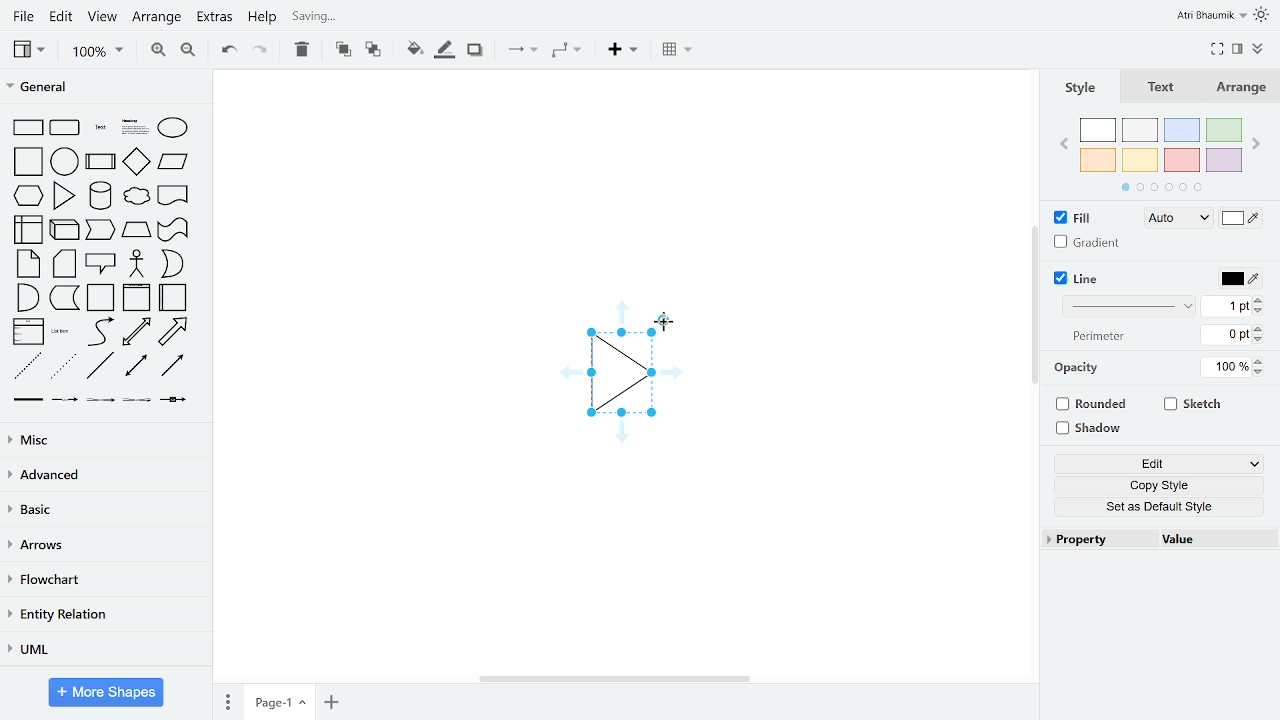  What do you see at coordinates (619, 376) in the screenshot?
I see `Traiangle shape added` at bounding box center [619, 376].